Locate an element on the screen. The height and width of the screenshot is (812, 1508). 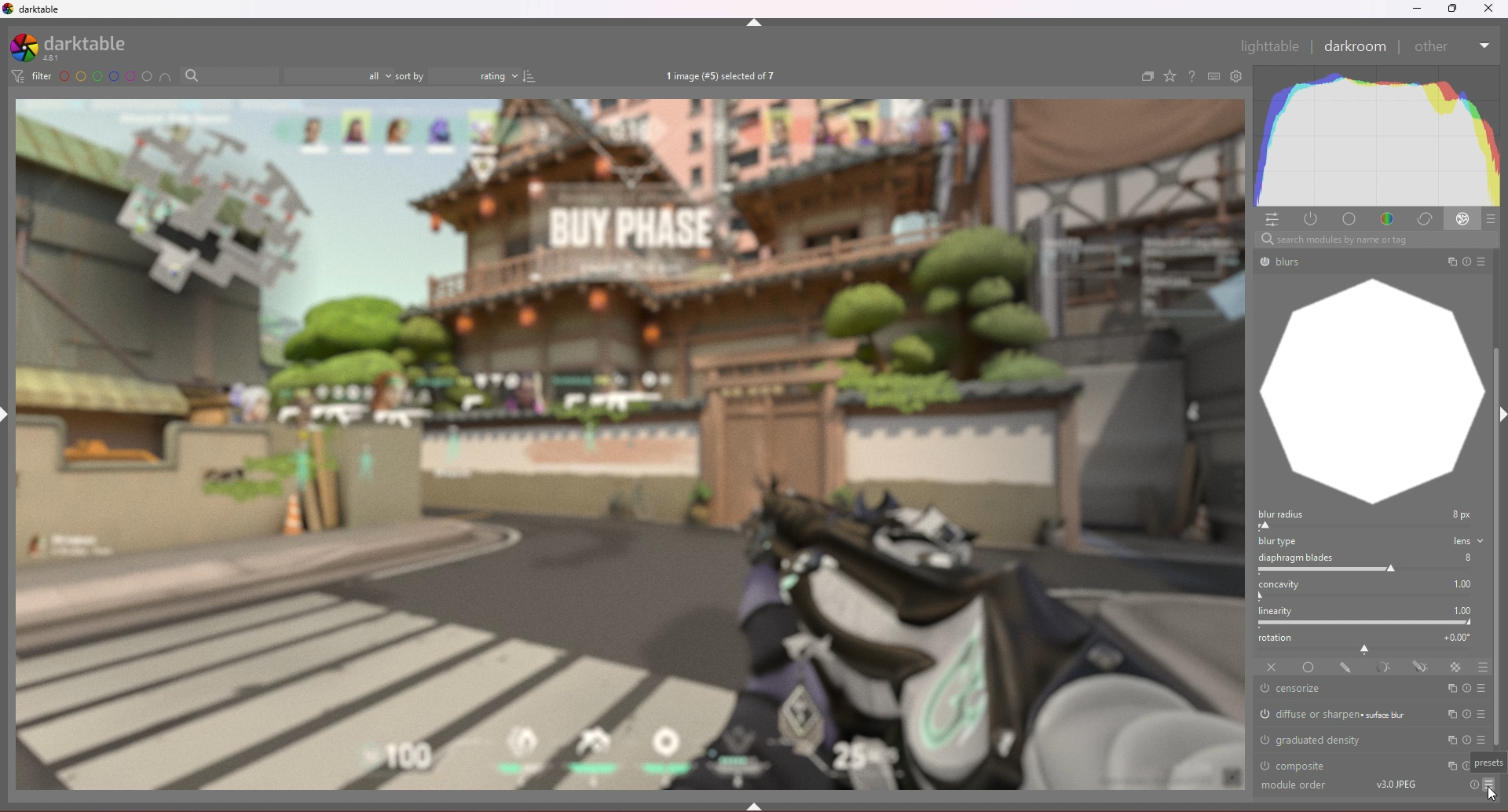
keyboard shortcut is located at coordinates (1214, 76).